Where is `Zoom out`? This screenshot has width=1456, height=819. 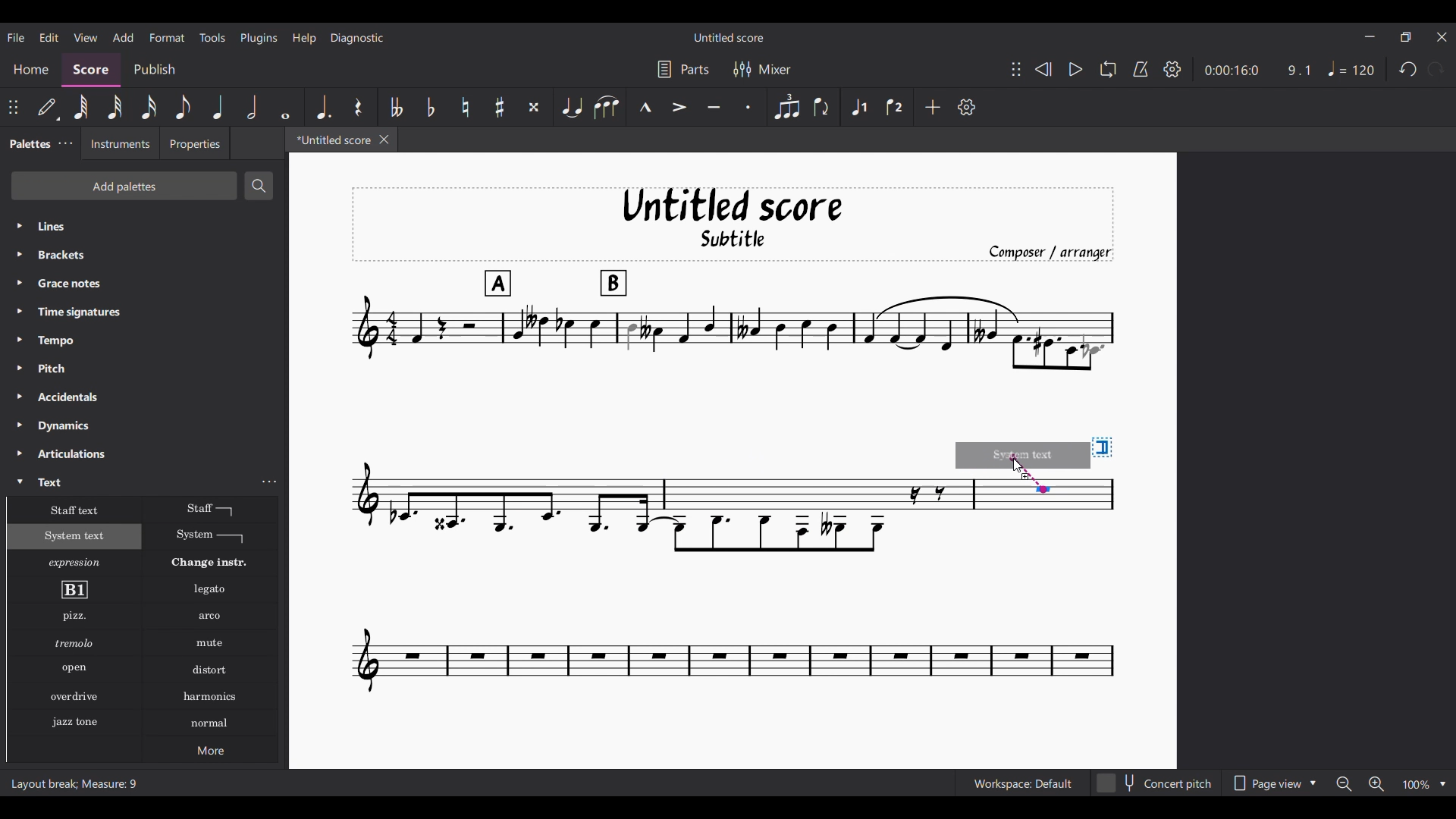
Zoom out is located at coordinates (1345, 783).